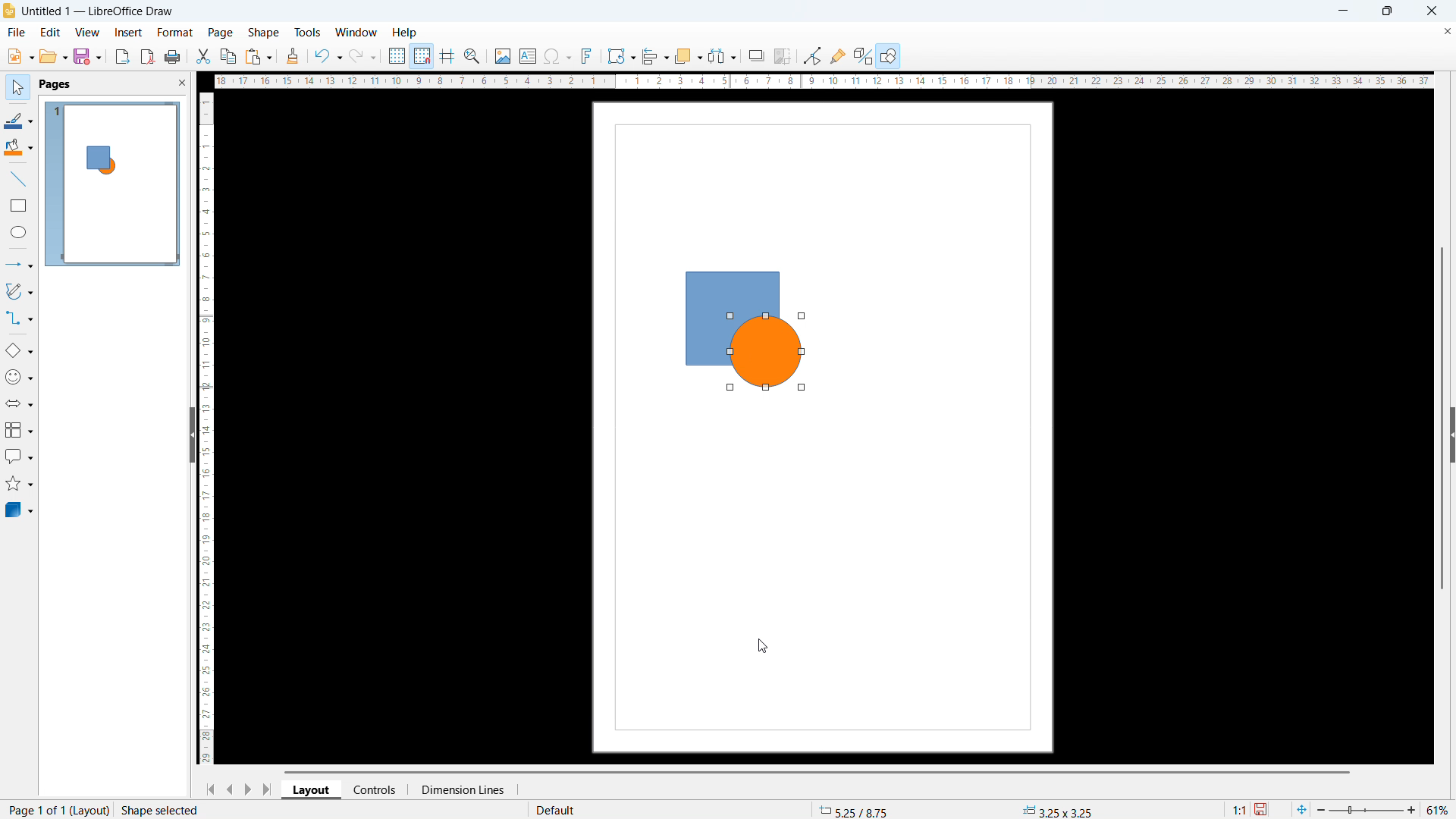 This screenshot has width=1456, height=819. What do you see at coordinates (88, 56) in the screenshot?
I see `save` at bounding box center [88, 56].